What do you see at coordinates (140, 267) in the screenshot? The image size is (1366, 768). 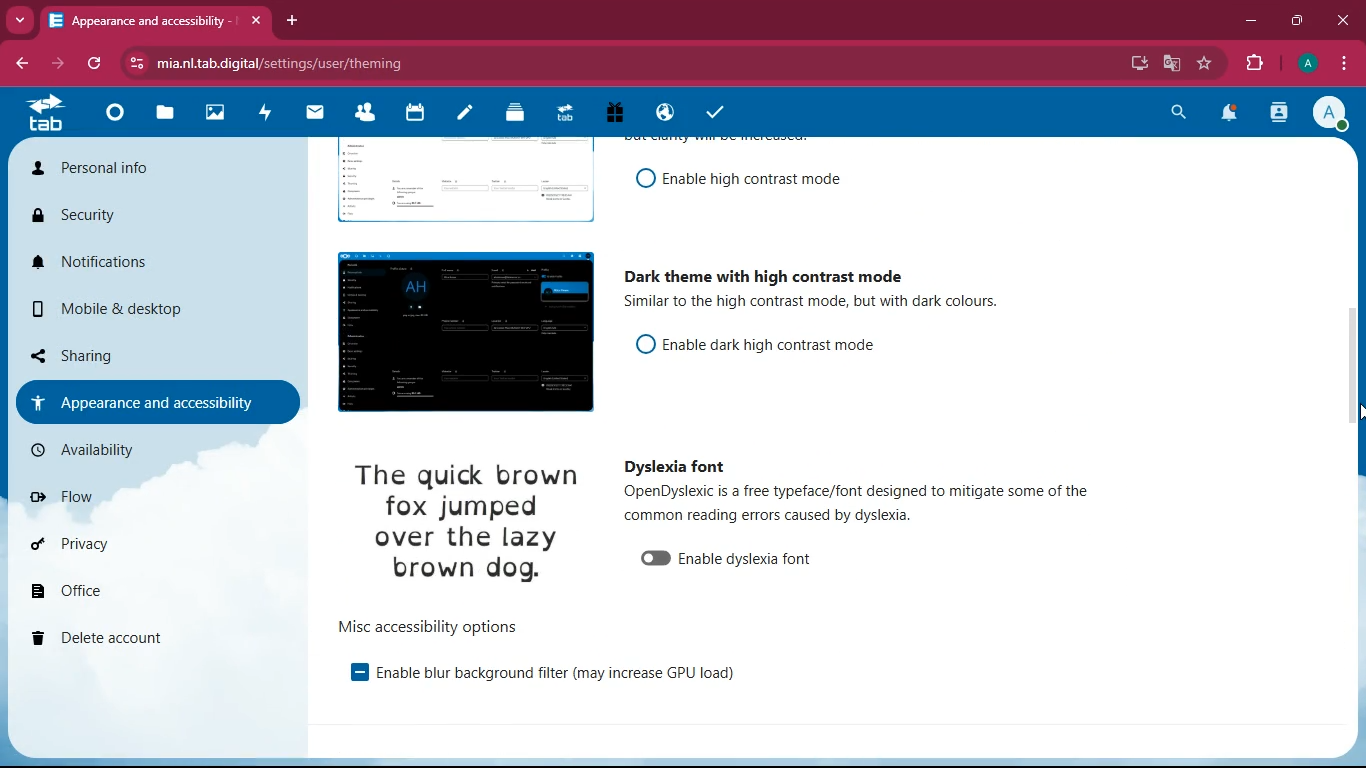 I see `notifications` at bounding box center [140, 267].